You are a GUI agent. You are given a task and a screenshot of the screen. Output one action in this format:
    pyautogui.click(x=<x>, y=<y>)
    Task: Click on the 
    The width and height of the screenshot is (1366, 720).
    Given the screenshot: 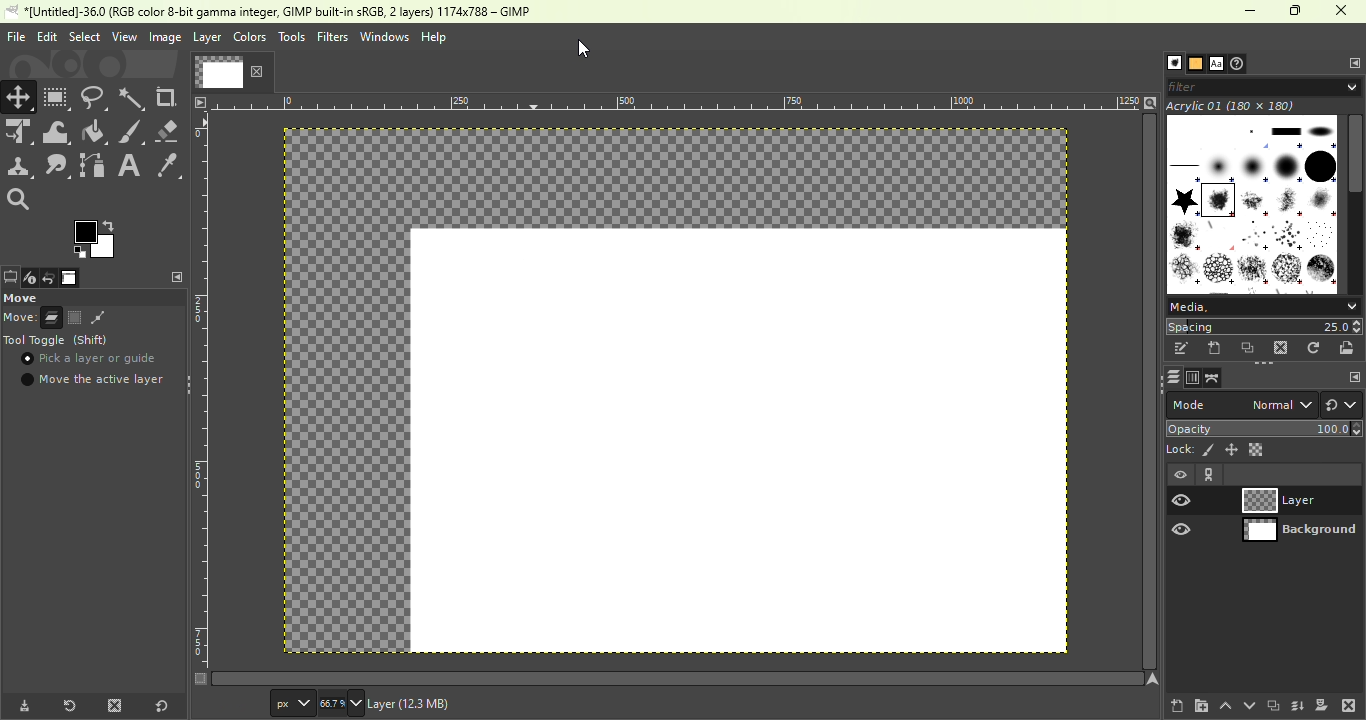 What is the action you would take?
    pyautogui.click(x=83, y=37)
    